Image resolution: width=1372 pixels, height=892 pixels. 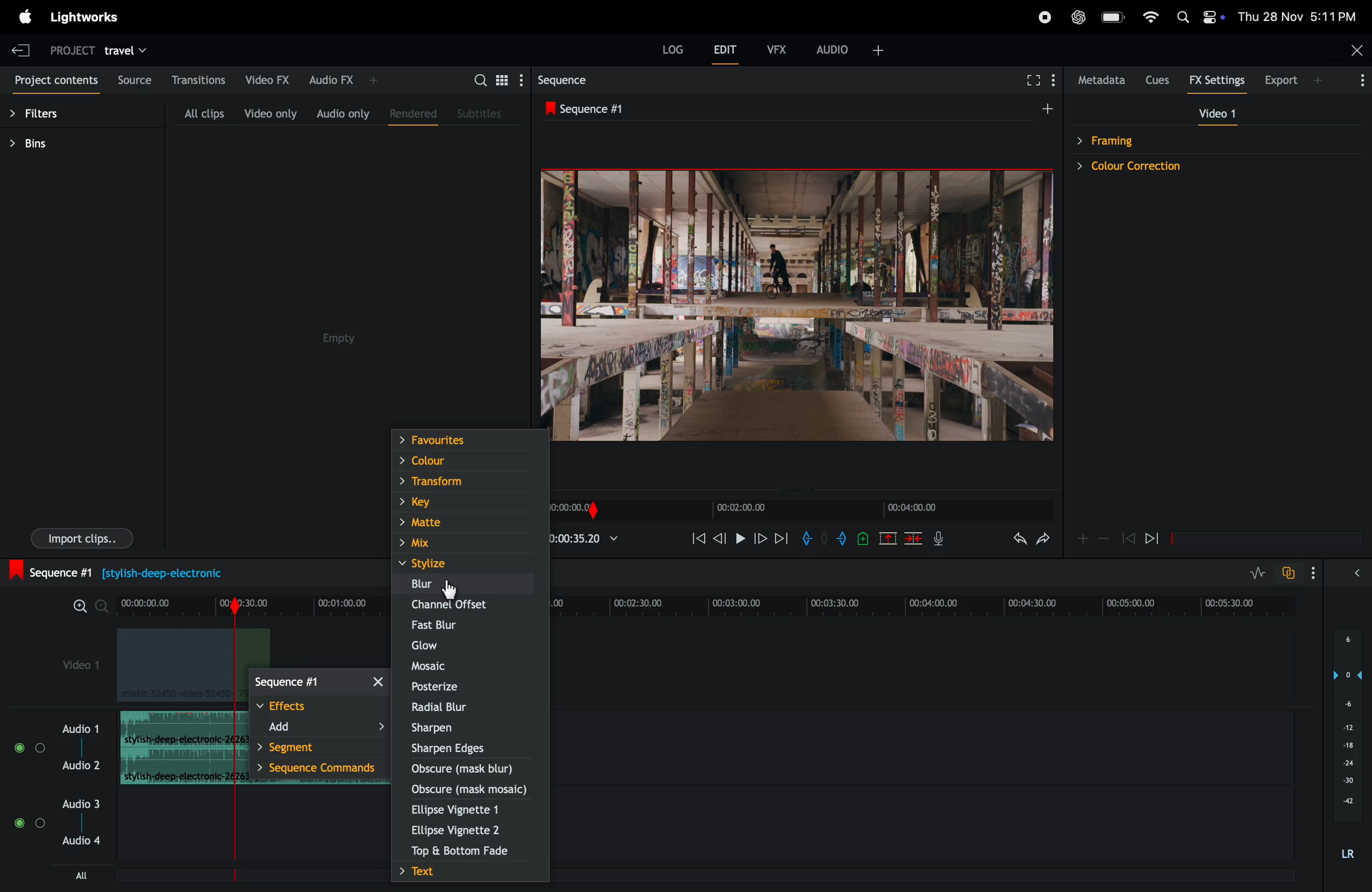 What do you see at coordinates (1128, 539) in the screenshot?
I see `rewind` at bounding box center [1128, 539].